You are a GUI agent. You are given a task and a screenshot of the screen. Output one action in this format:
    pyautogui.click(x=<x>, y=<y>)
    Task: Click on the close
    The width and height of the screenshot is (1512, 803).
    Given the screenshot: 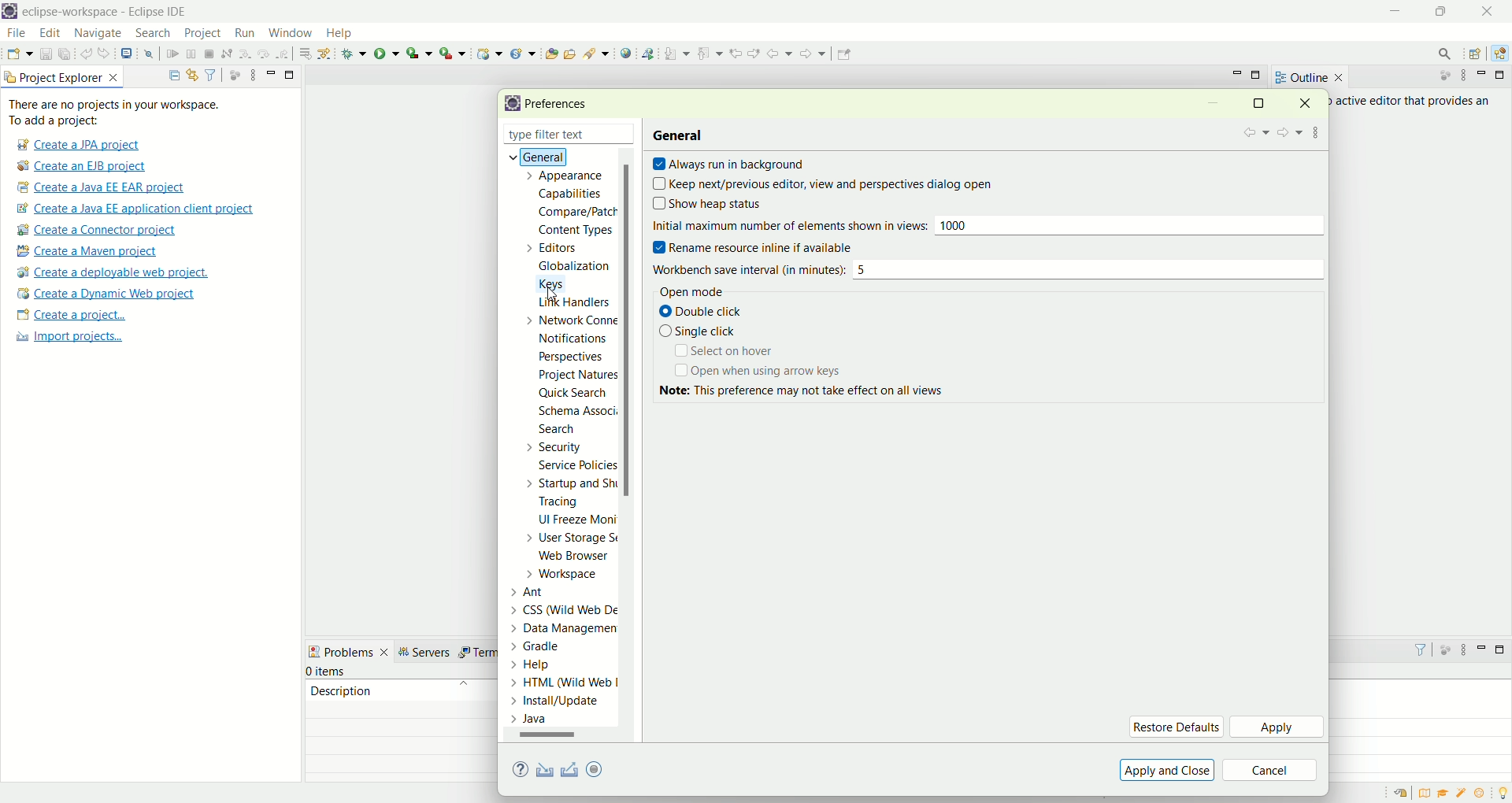 What is the action you would take?
    pyautogui.click(x=1492, y=11)
    